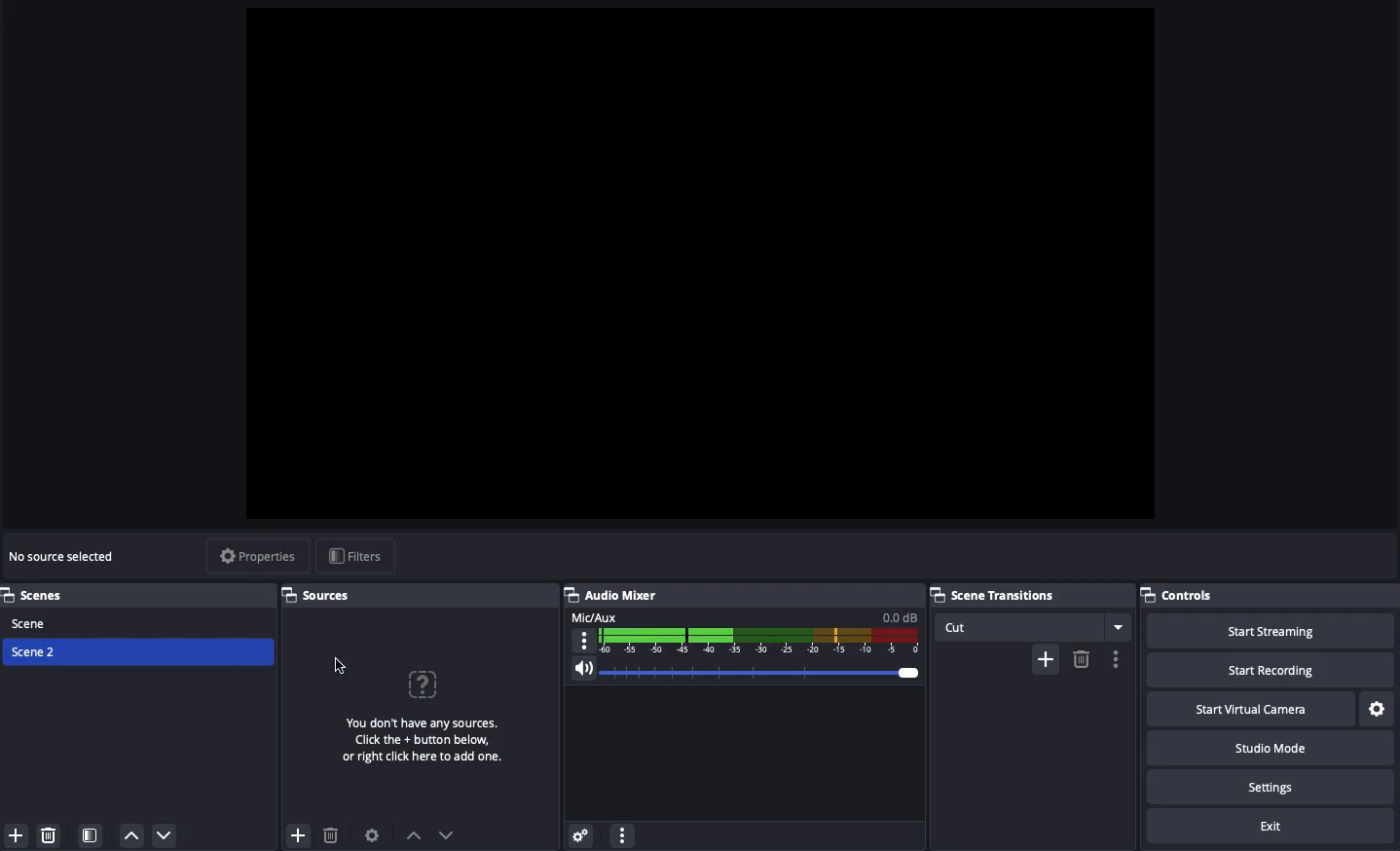 This screenshot has height=851, width=1400. Describe the element at coordinates (69, 558) in the screenshot. I see `No sources selected ` at that location.